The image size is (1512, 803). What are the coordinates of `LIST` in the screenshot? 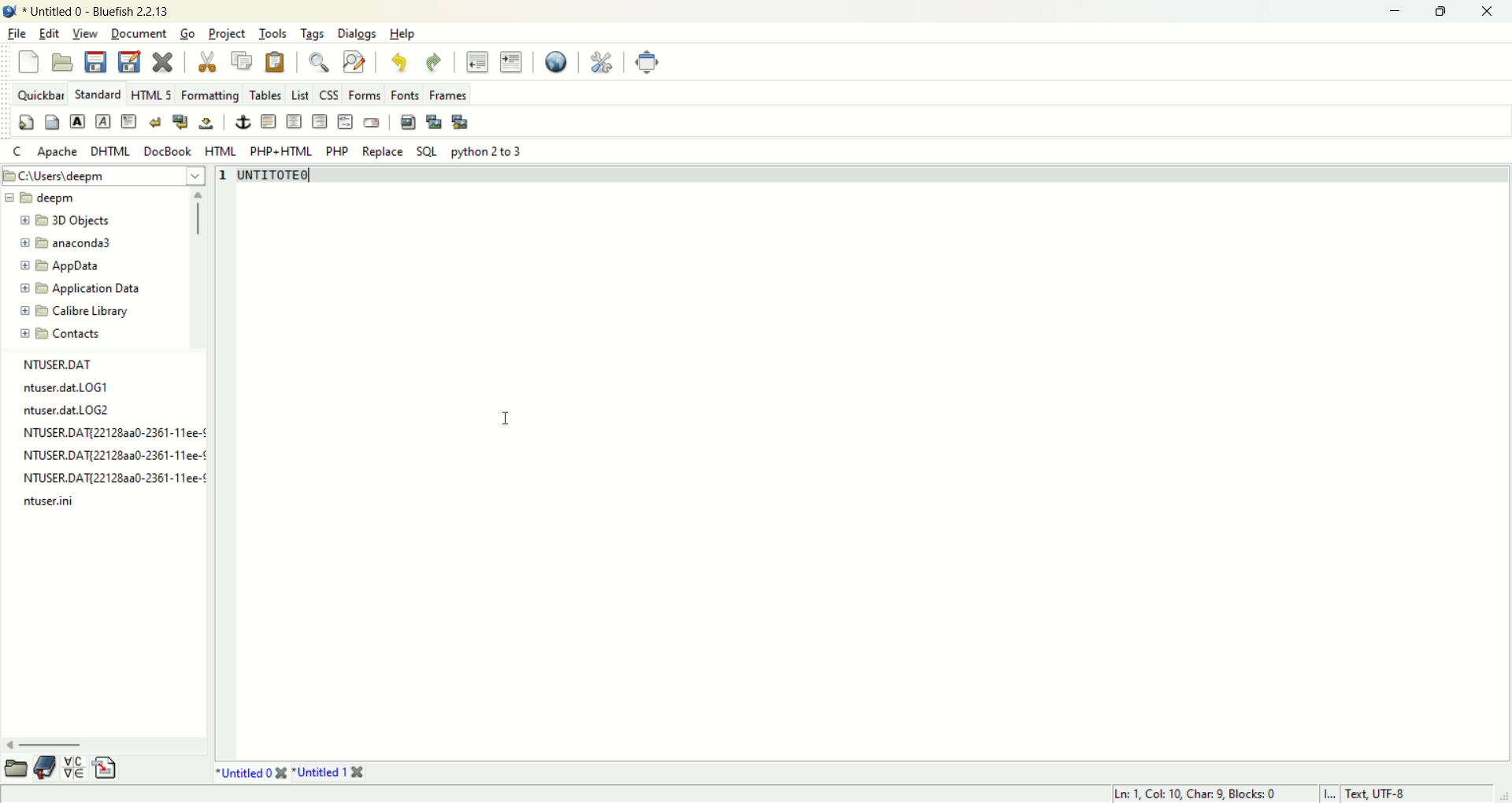 It's located at (299, 95).